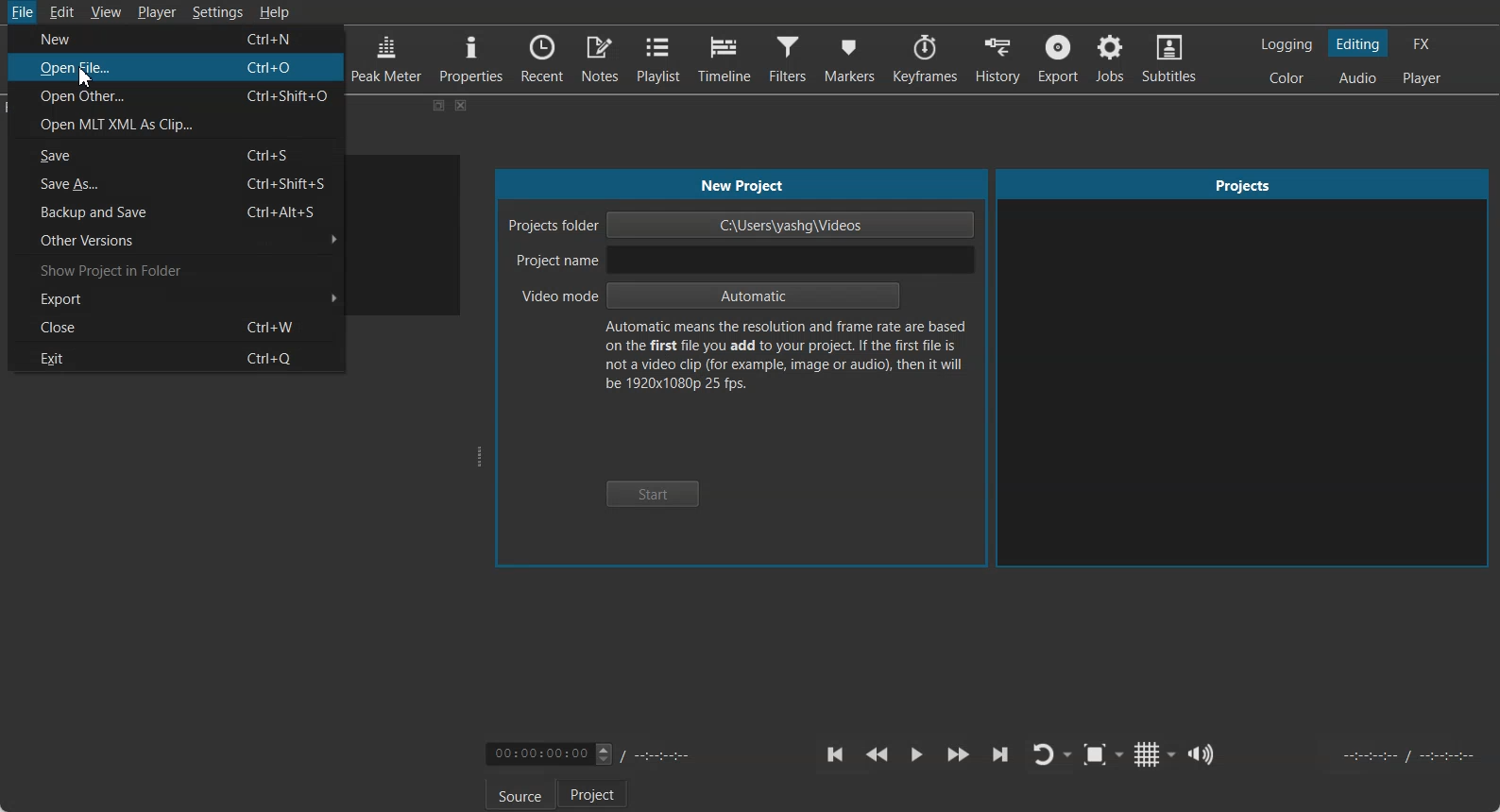  What do you see at coordinates (112, 67) in the screenshot?
I see `Open File` at bounding box center [112, 67].